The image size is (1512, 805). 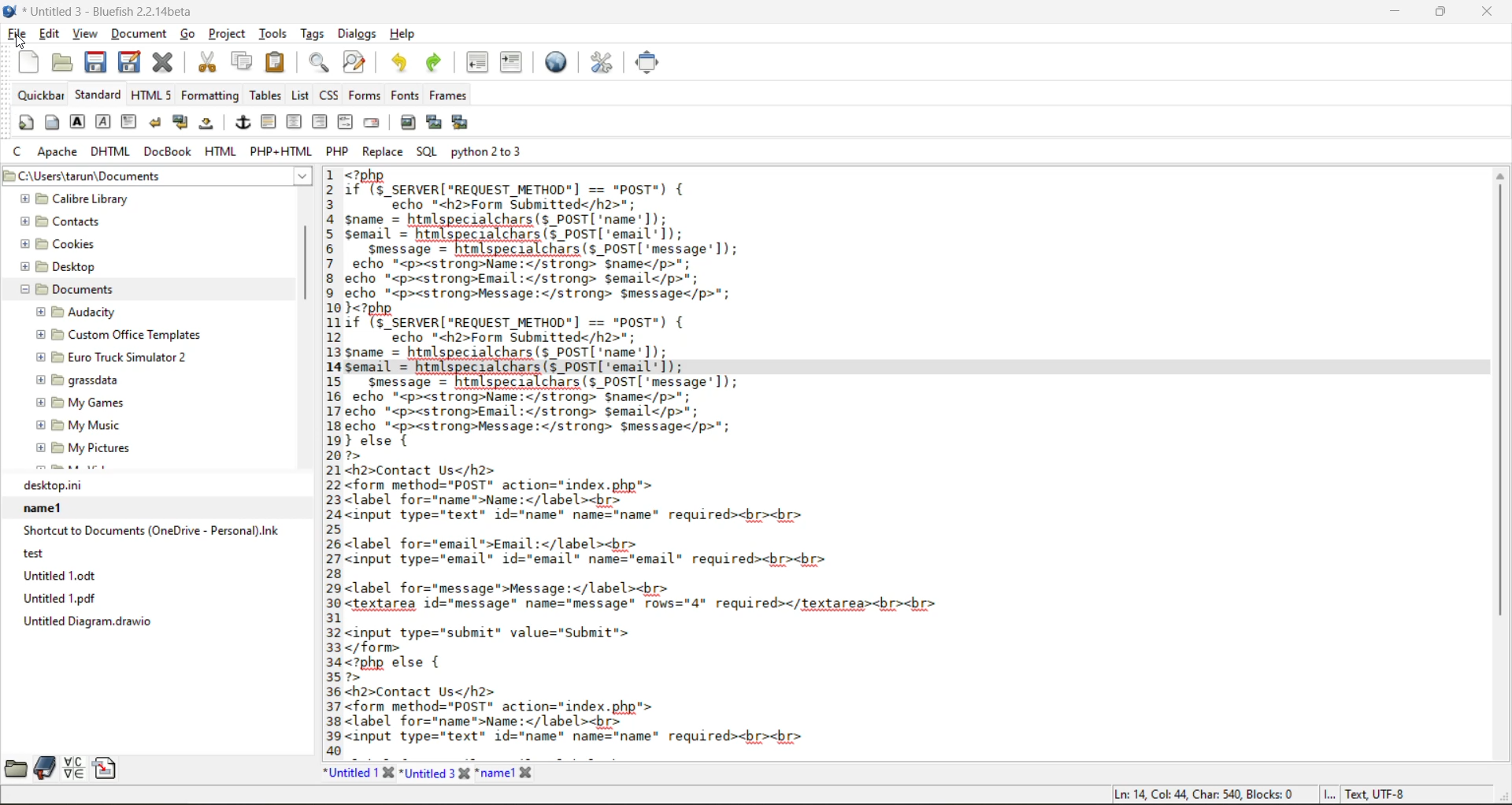 I want to click on Shortcut to Documents (OneDrive - Personal).lnk, so click(x=150, y=531).